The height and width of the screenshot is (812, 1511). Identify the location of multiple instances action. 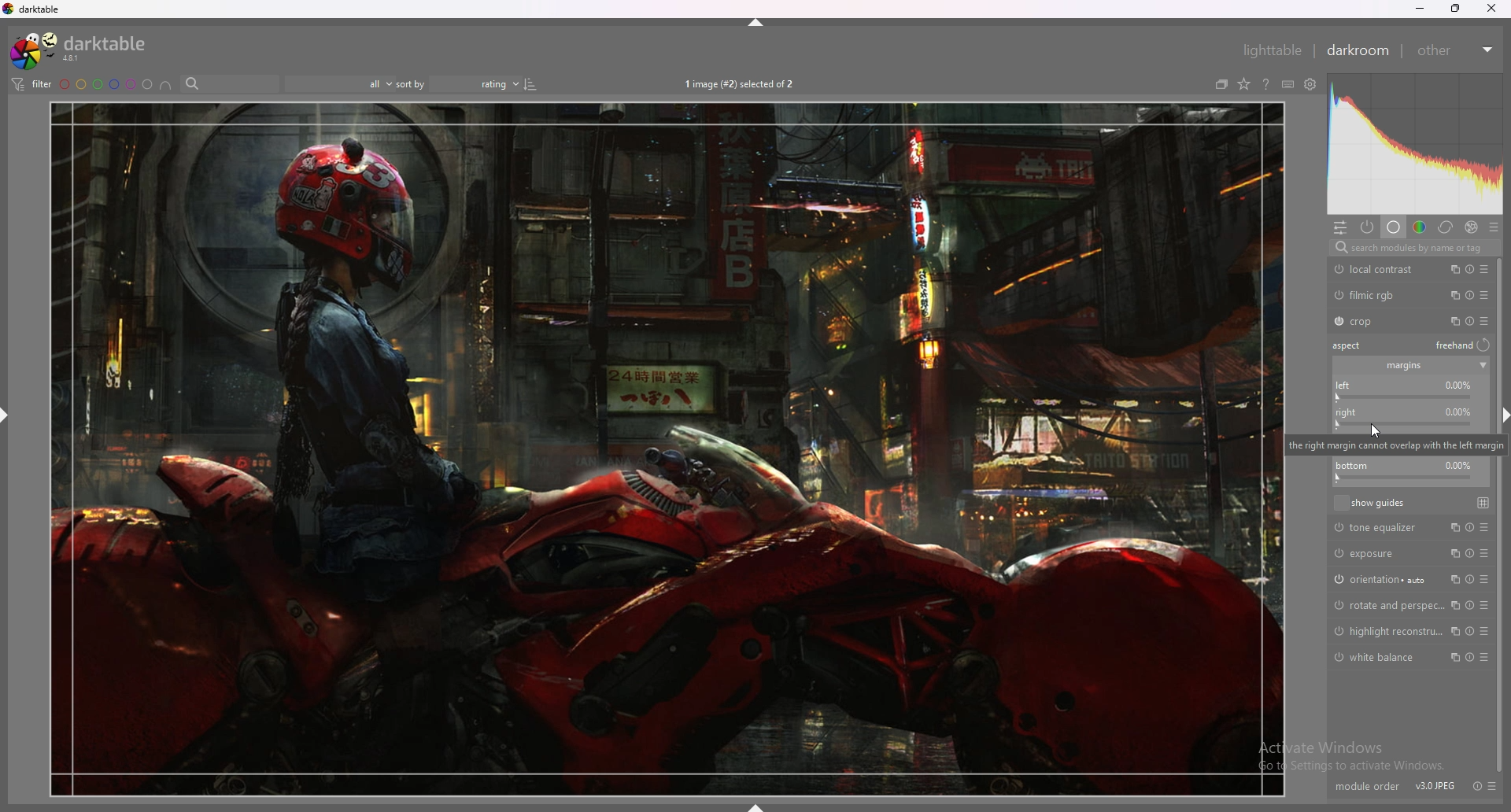
(1454, 658).